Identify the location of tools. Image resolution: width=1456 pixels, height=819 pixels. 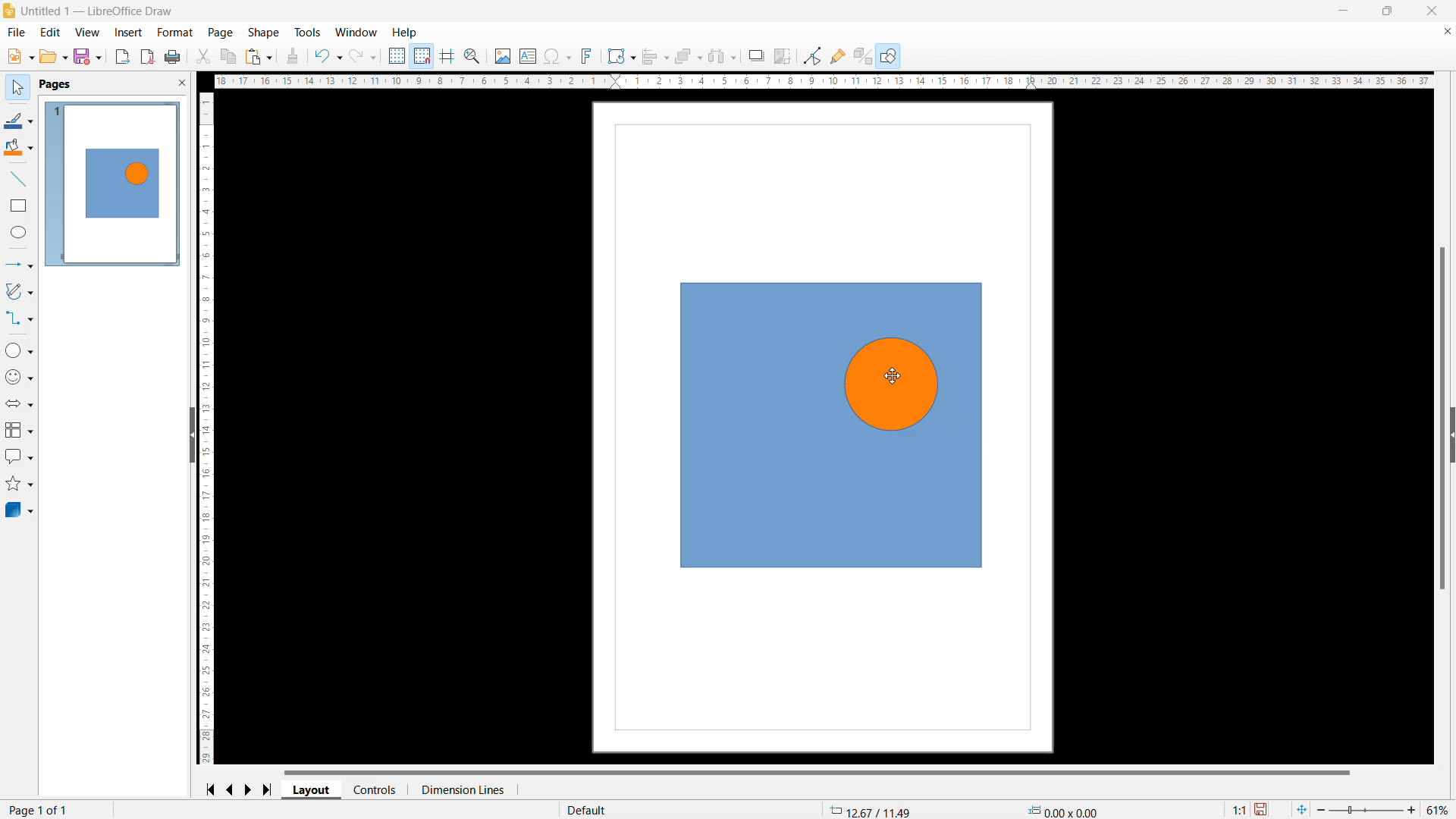
(308, 32).